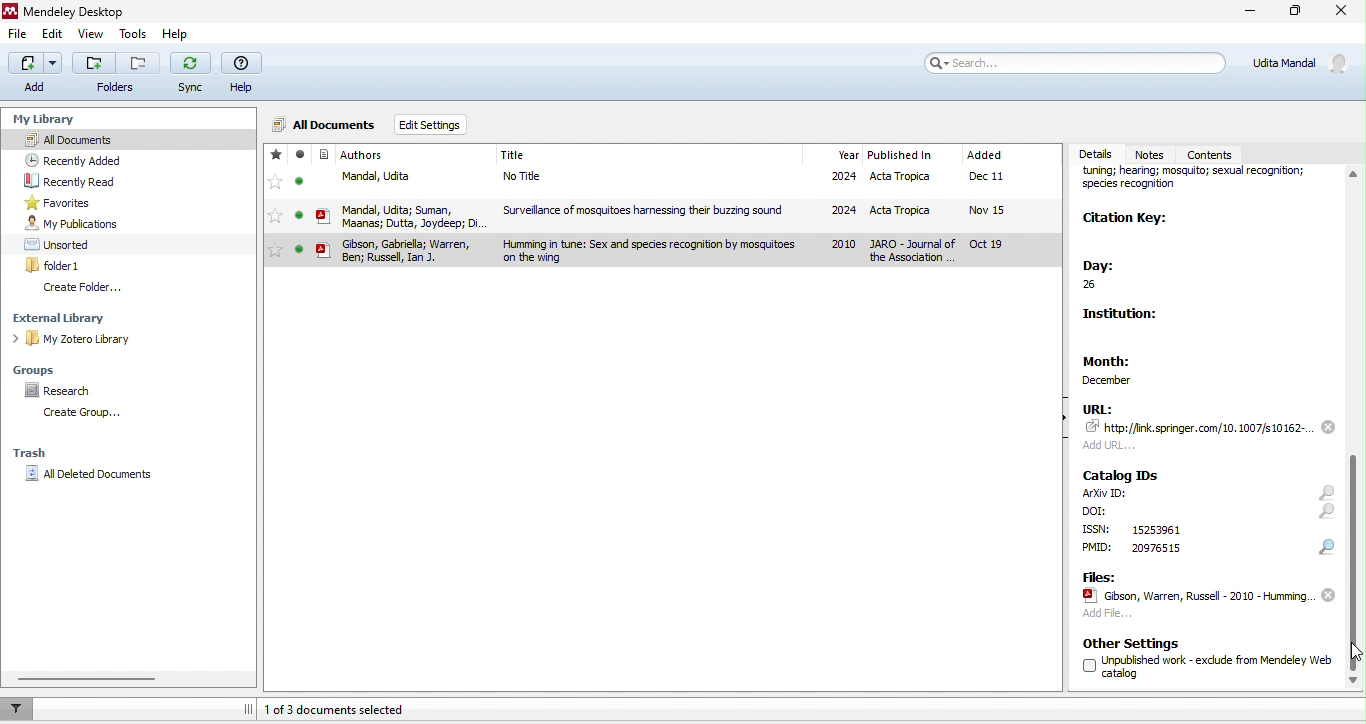 This screenshot has height=724, width=1366. I want to click on other settings, so click(1133, 643).